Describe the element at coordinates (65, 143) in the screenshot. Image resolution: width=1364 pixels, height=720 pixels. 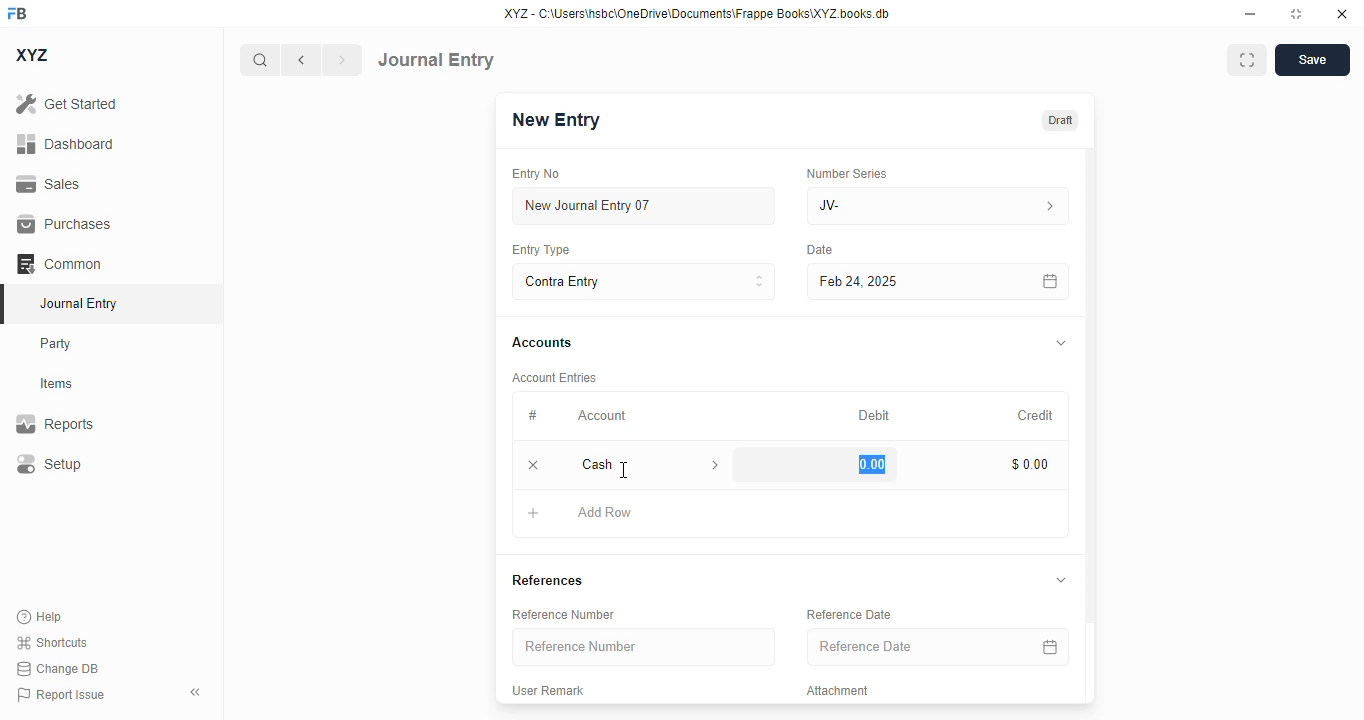
I see `dashboard` at that location.